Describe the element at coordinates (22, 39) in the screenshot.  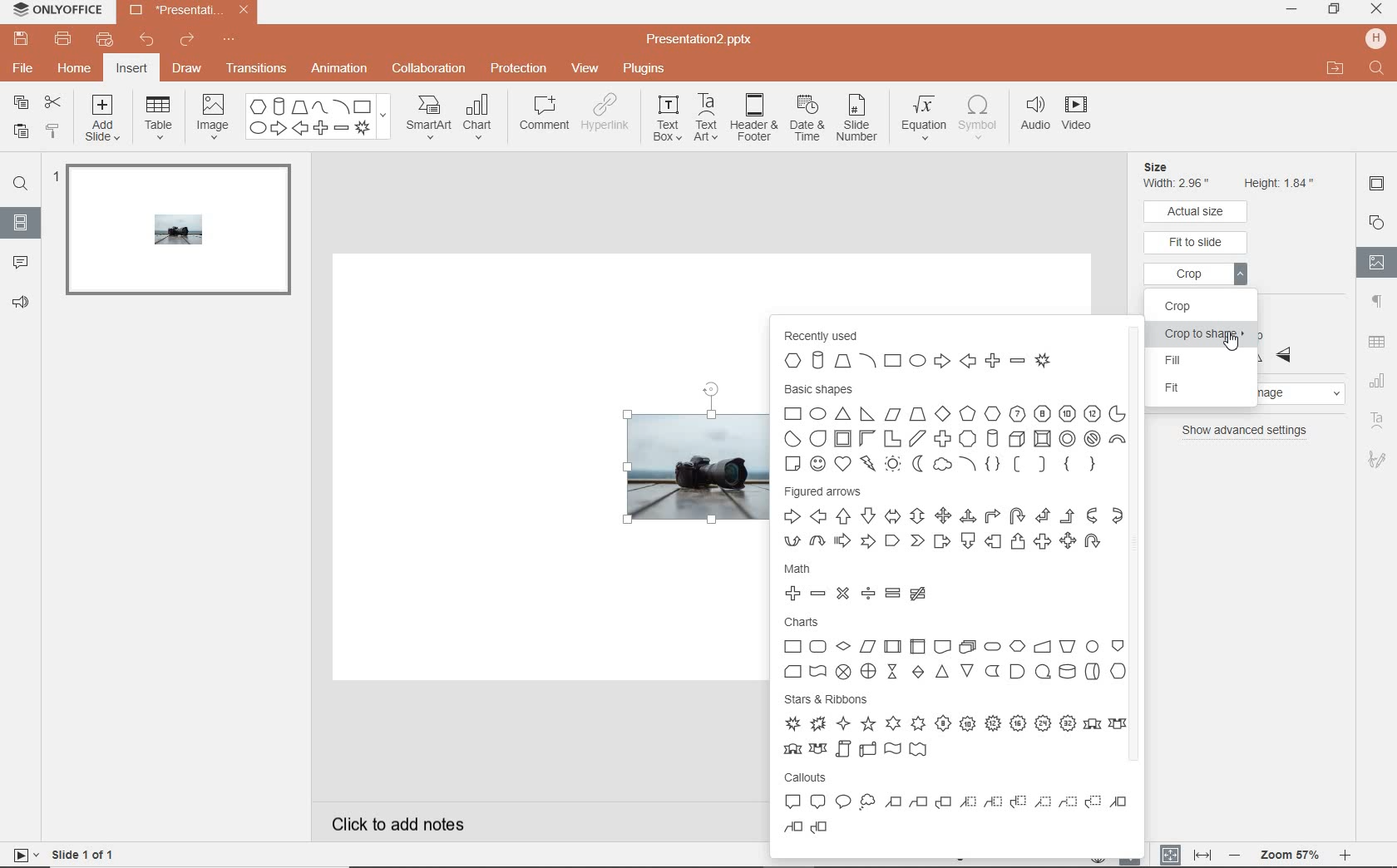
I see `save` at that location.